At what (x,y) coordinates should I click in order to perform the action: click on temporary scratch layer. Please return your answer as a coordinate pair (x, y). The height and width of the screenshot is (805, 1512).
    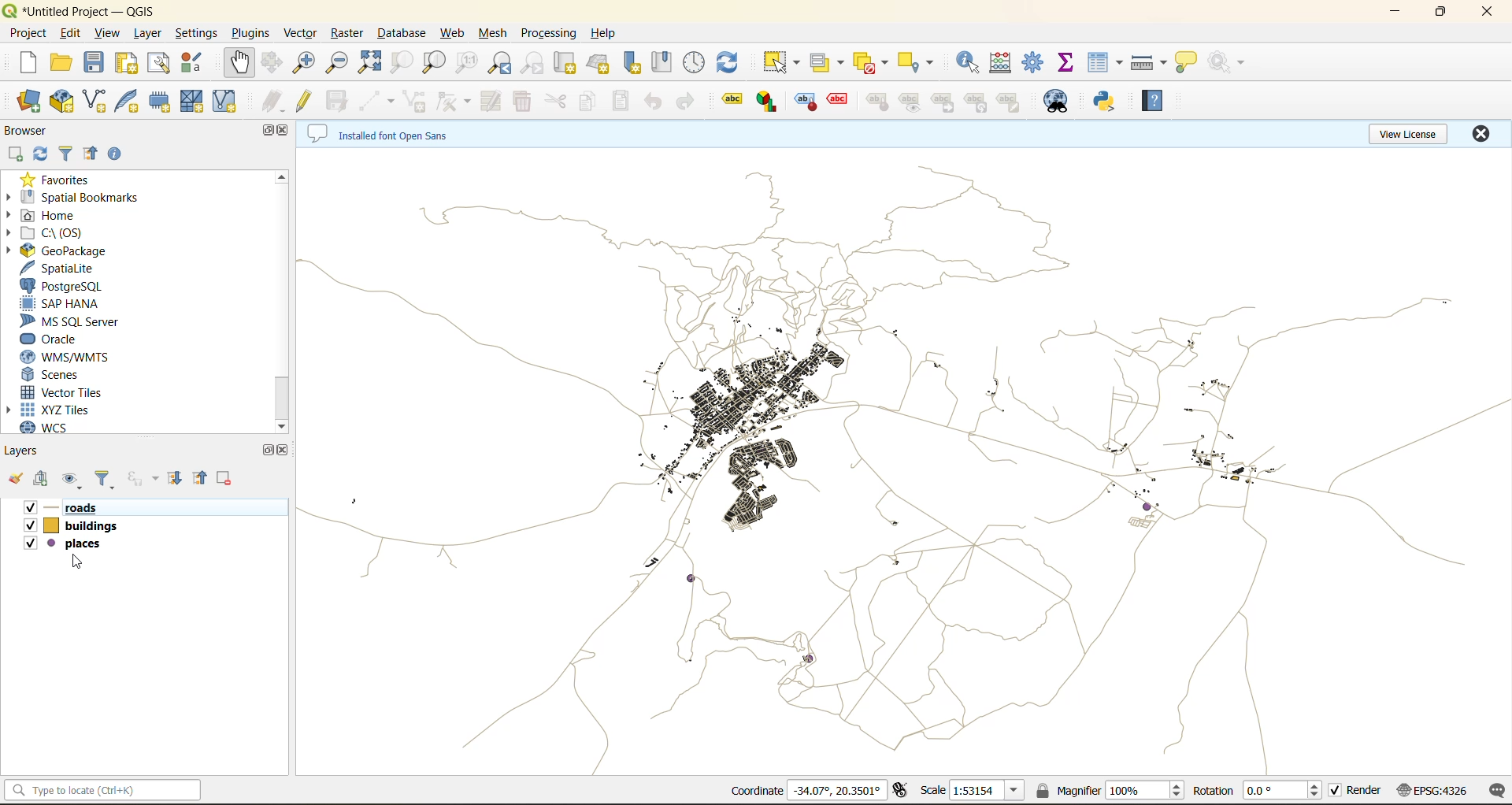
    Looking at the image, I should click on (163, 103).